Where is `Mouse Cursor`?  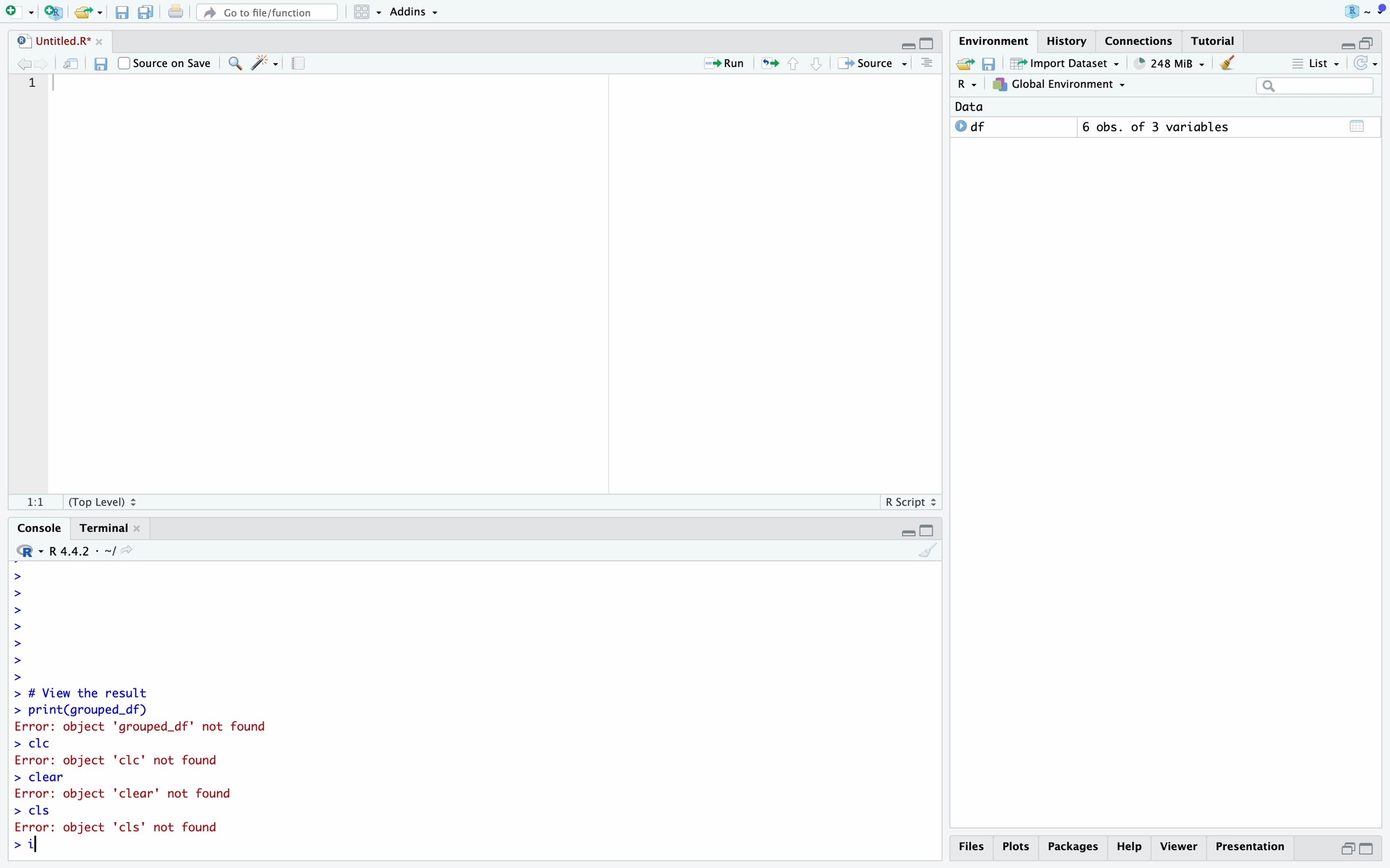 Mouse Cursor is located at coordinates (41, 847).